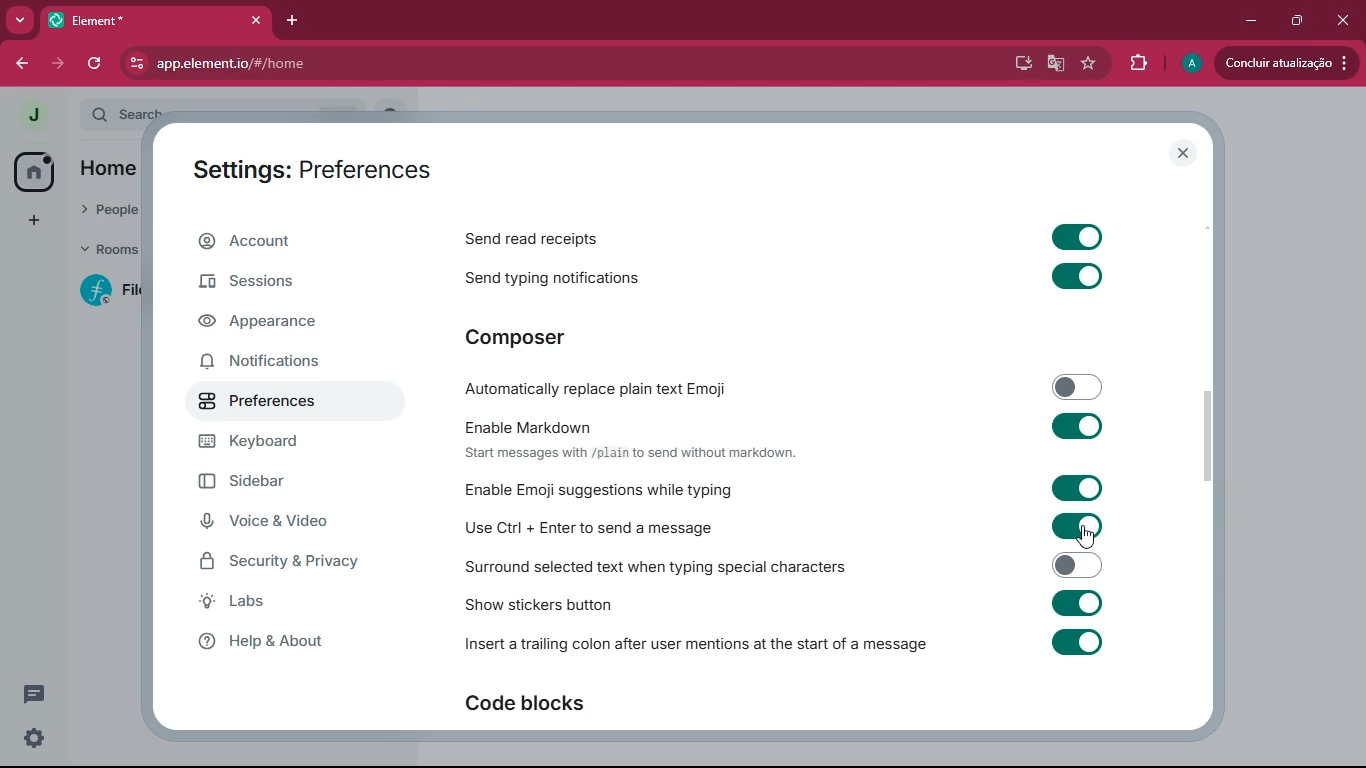  Describe the element at coordinates (1071, 525) in the screenshot. I see `toggle on or off` at that location.